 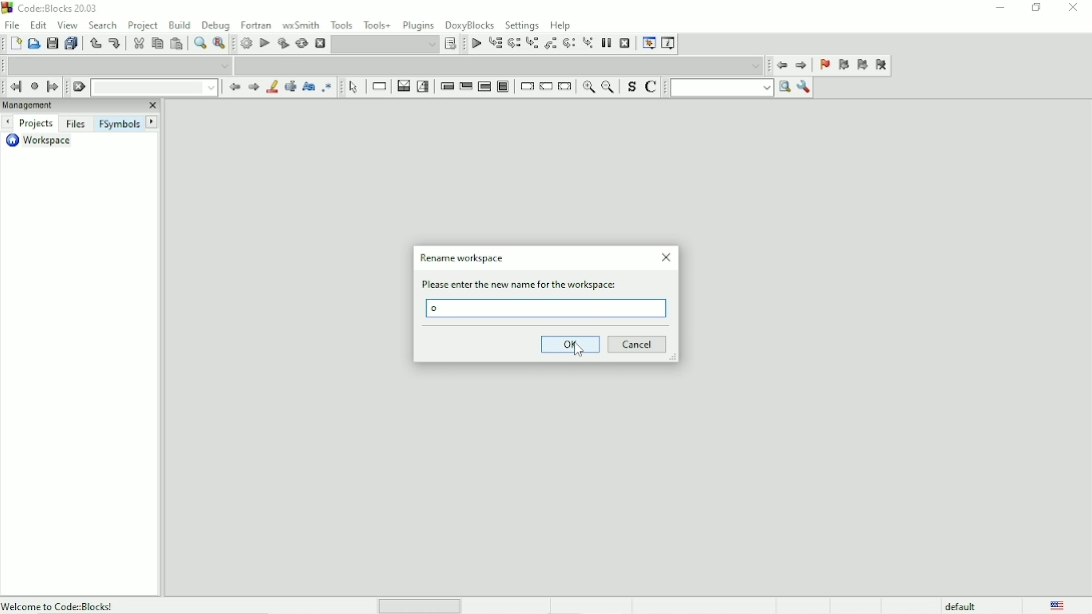 What do you see at coordinates (437, 309) in the screenshot?
I see `o` at bounding box center [437, 309].